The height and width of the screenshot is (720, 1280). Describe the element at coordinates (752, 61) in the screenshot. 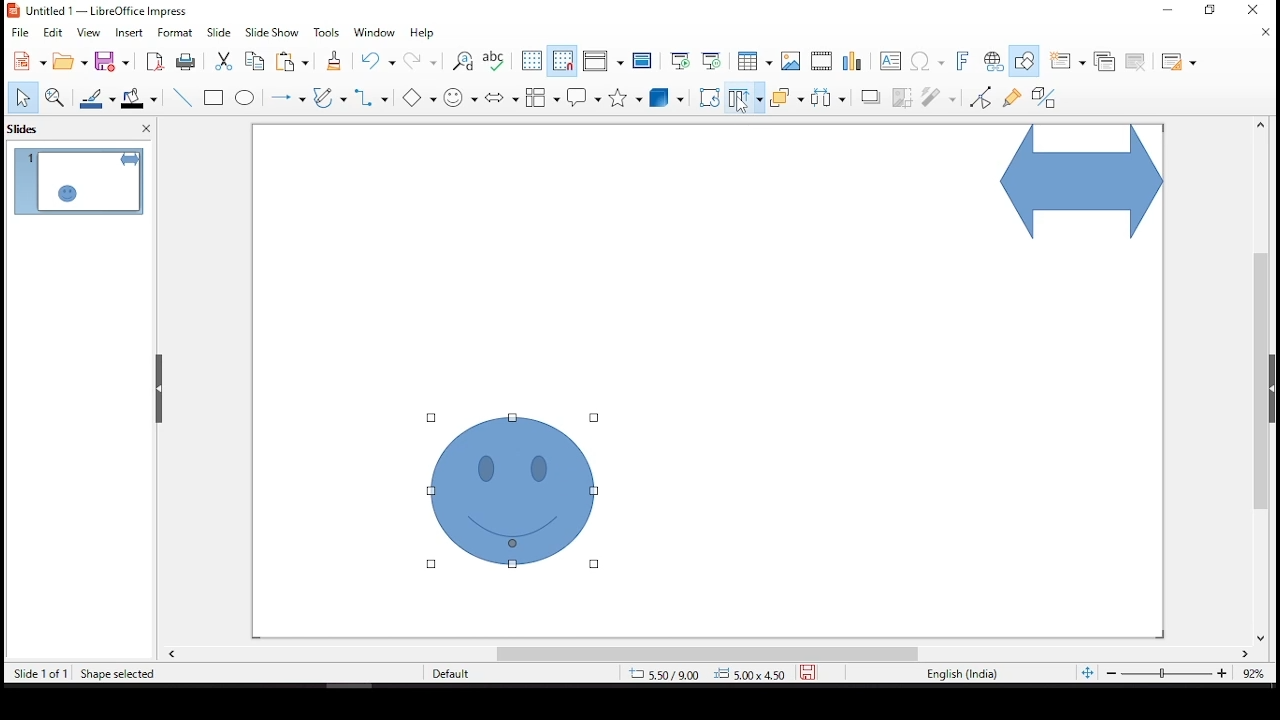

I see `table` at that location.